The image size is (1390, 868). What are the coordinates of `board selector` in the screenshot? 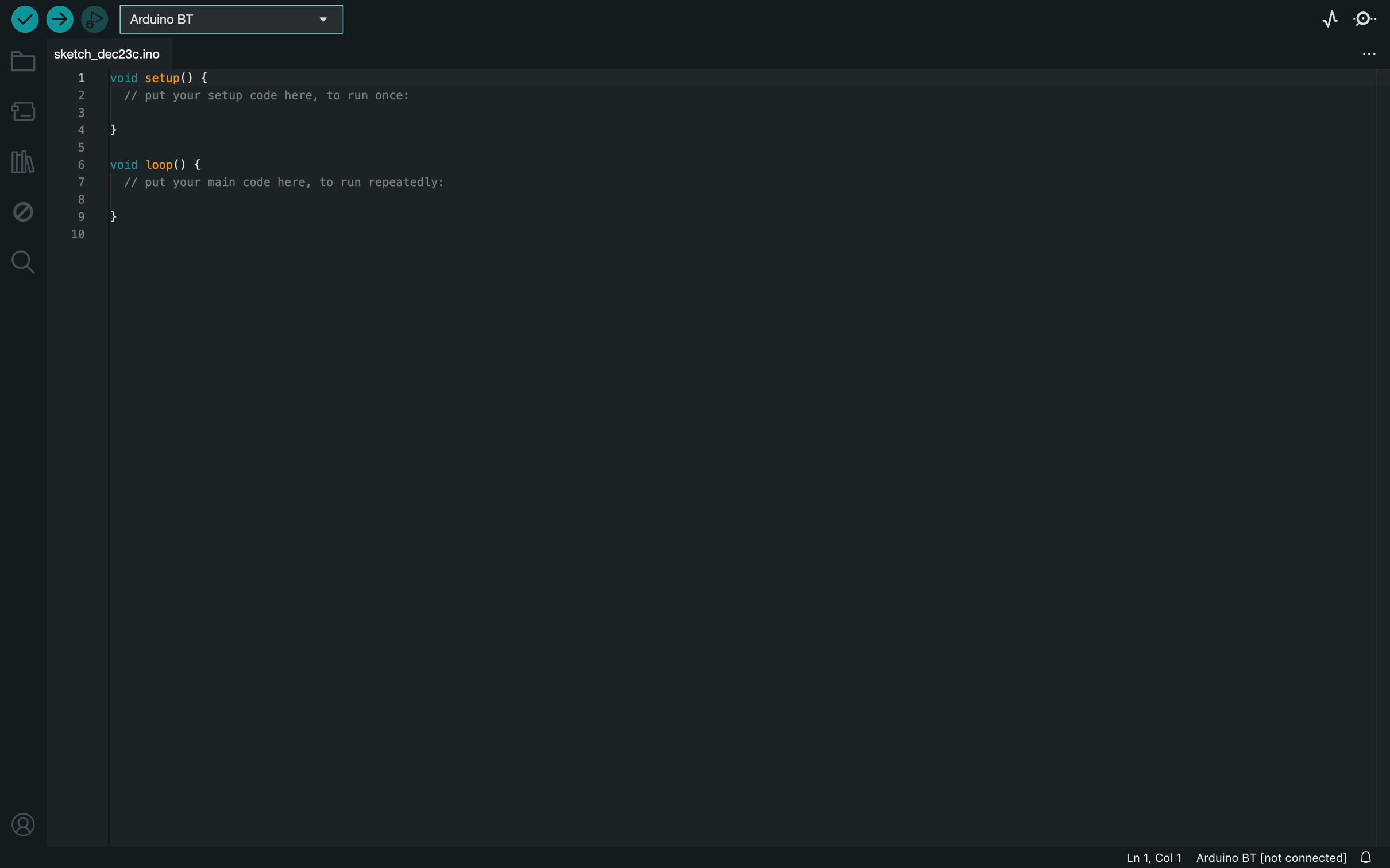 It's located at (232, 22).